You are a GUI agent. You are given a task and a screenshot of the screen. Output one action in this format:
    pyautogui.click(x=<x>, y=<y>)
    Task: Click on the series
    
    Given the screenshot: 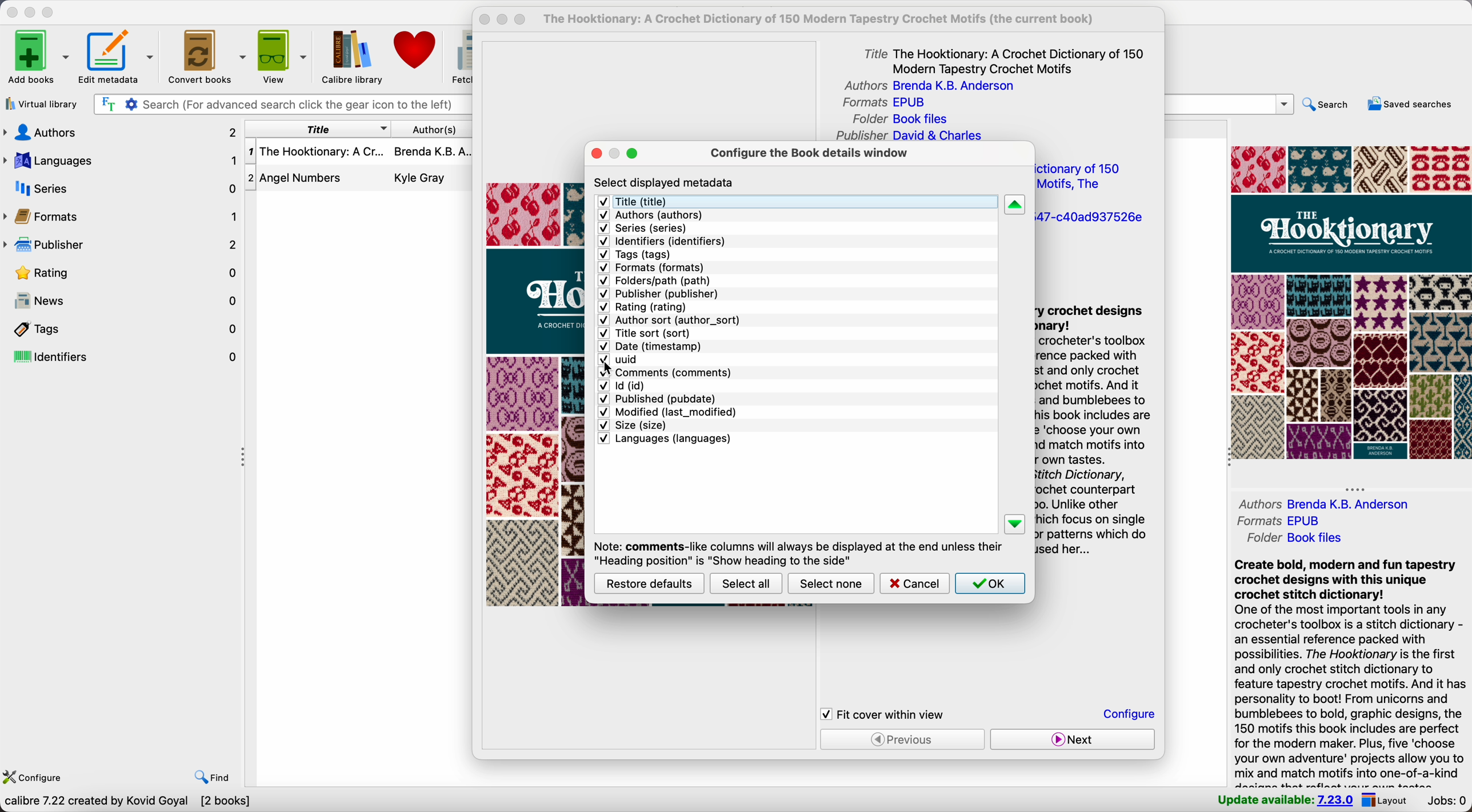 What is the action you would take?
    pyautogui.click(x=645, y=229)
    